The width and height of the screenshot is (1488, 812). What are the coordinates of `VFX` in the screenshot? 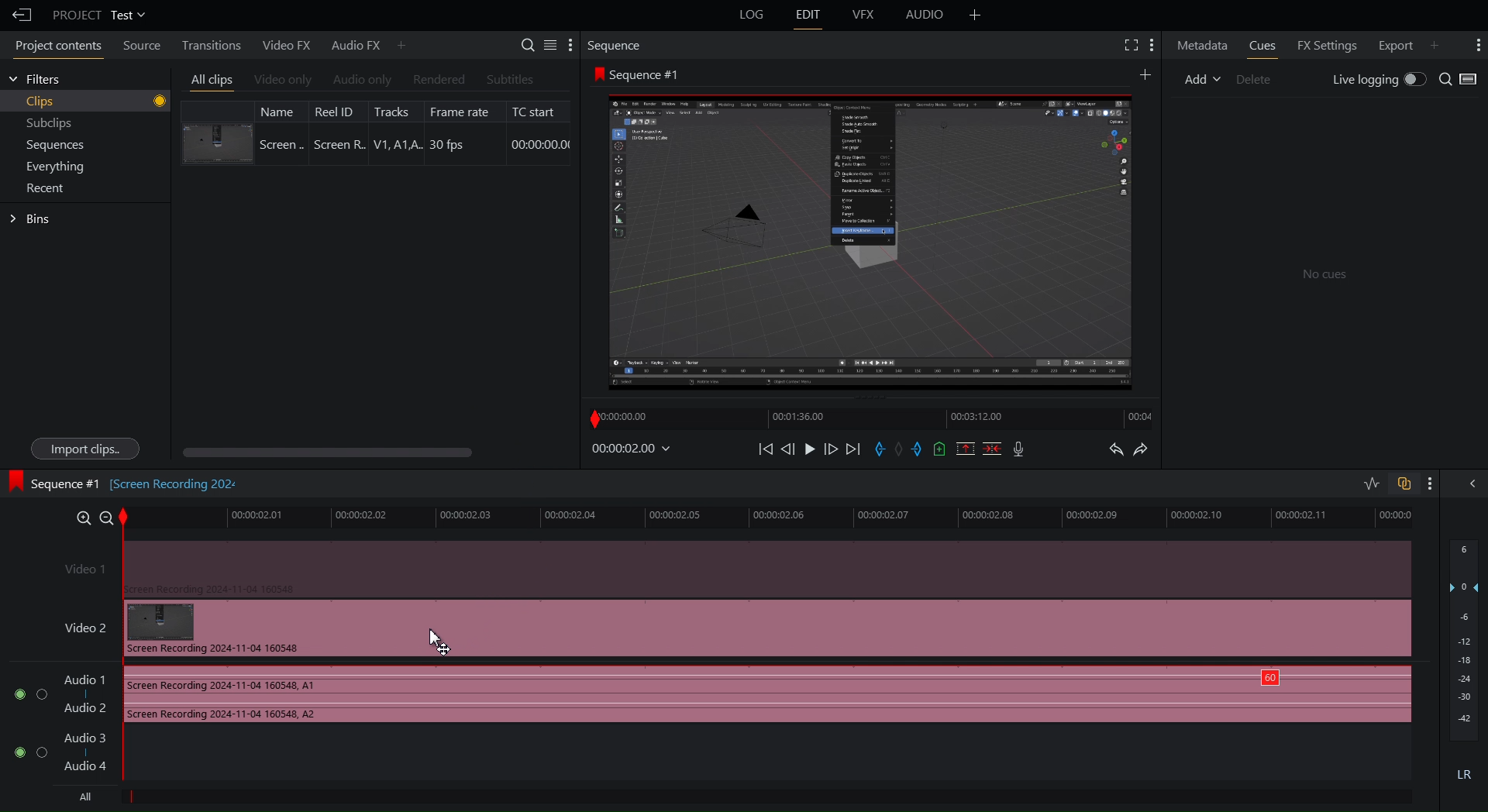 It's located at (866, 15).